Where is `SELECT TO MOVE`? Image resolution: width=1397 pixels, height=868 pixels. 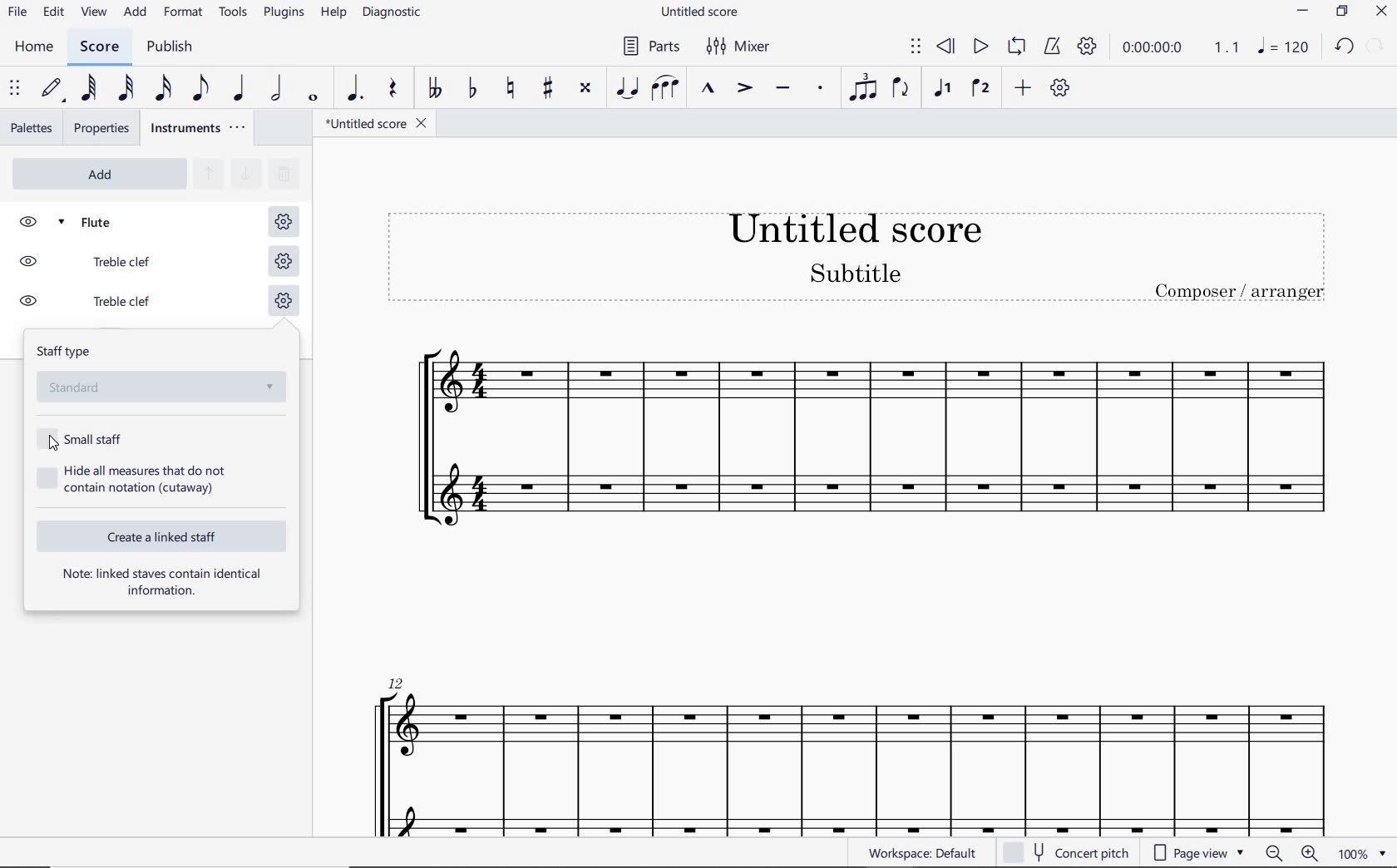
SELECT TO MOVE is located at coordinates (915, 47).